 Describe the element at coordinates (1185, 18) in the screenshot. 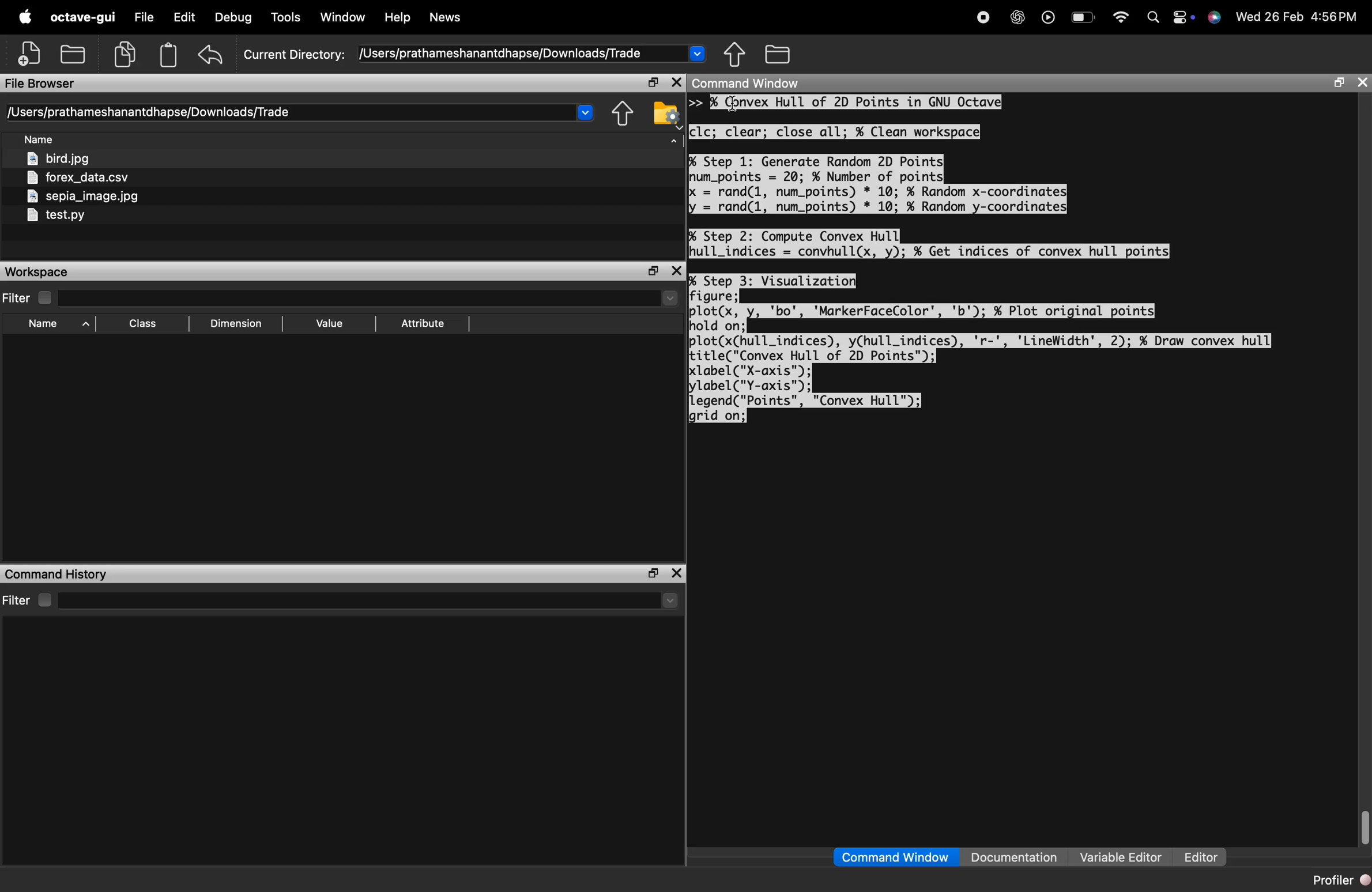

I see `action center` at that location.